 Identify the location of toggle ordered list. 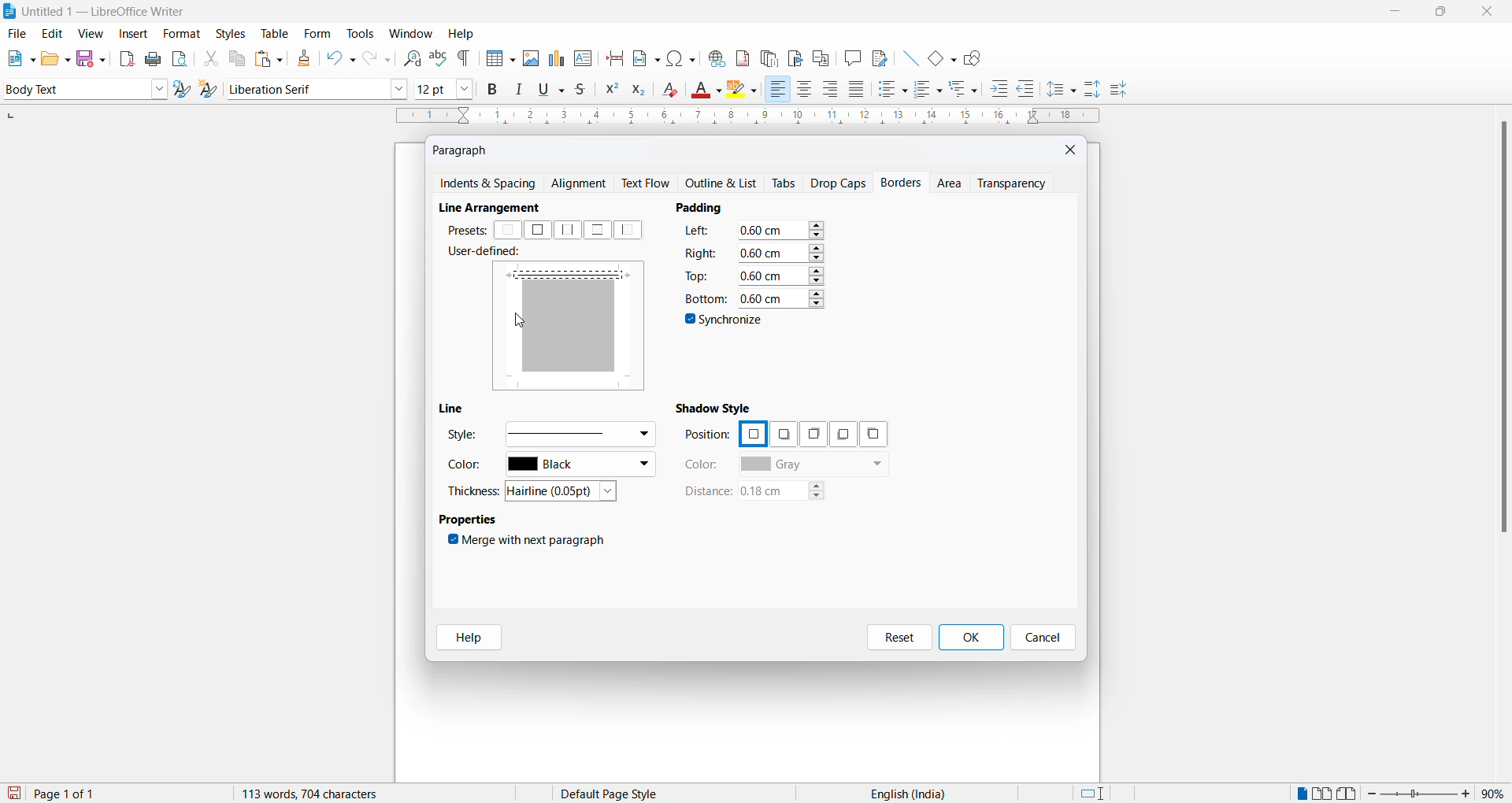
(929, 90).